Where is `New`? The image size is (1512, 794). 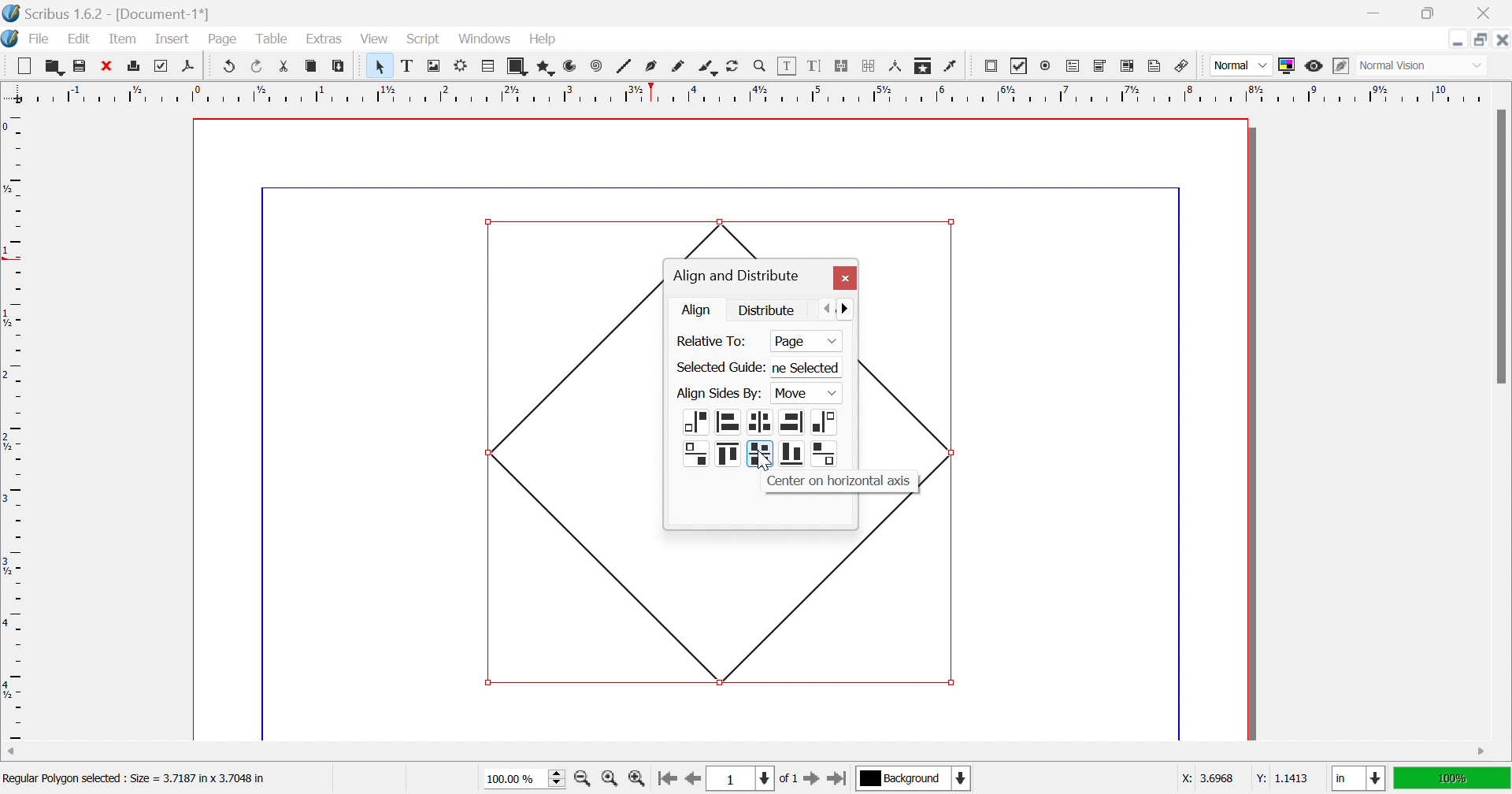
New is located at coordinates (24, 66).